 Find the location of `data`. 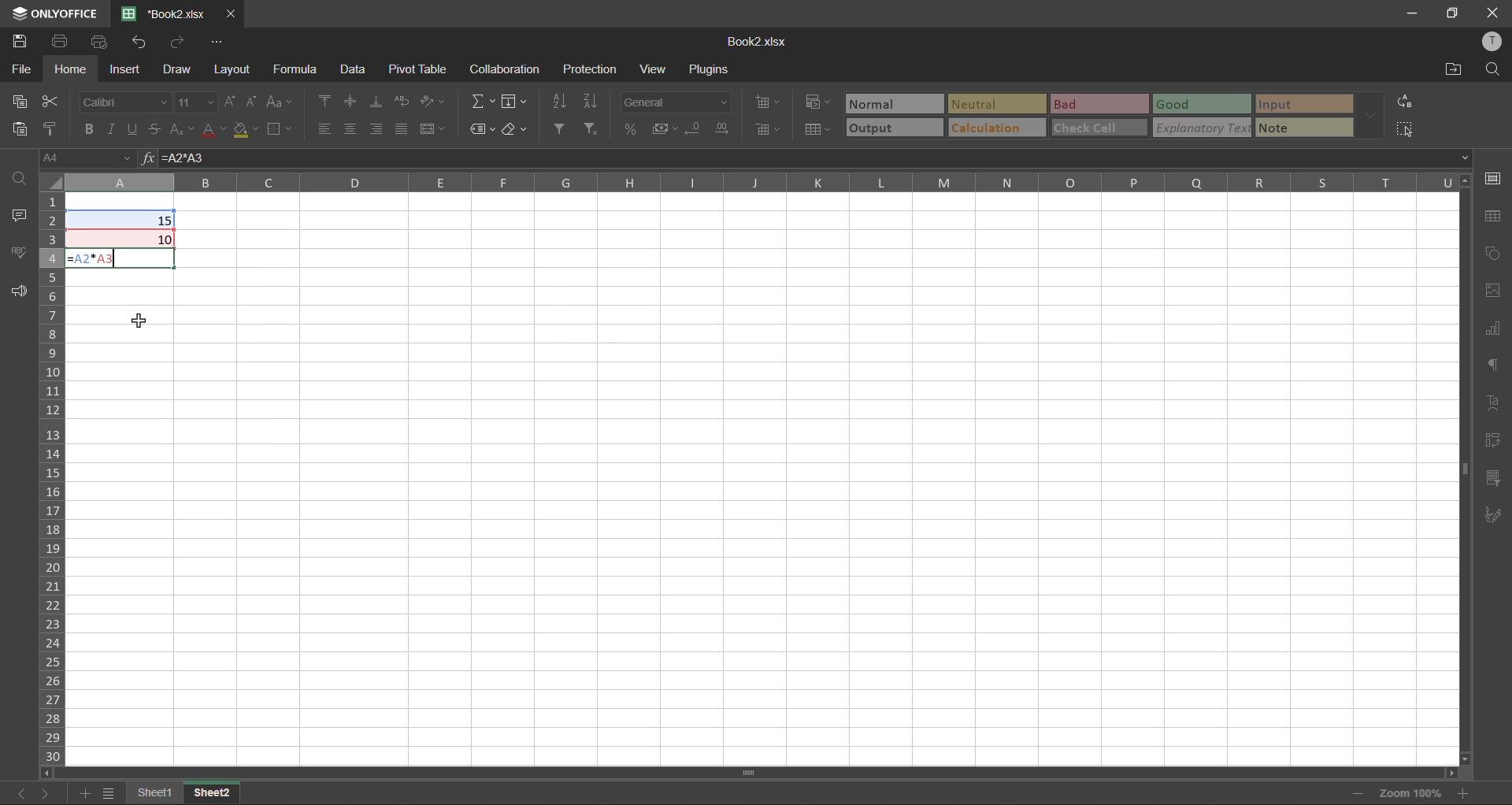

data is located at coordinates (351, 69).